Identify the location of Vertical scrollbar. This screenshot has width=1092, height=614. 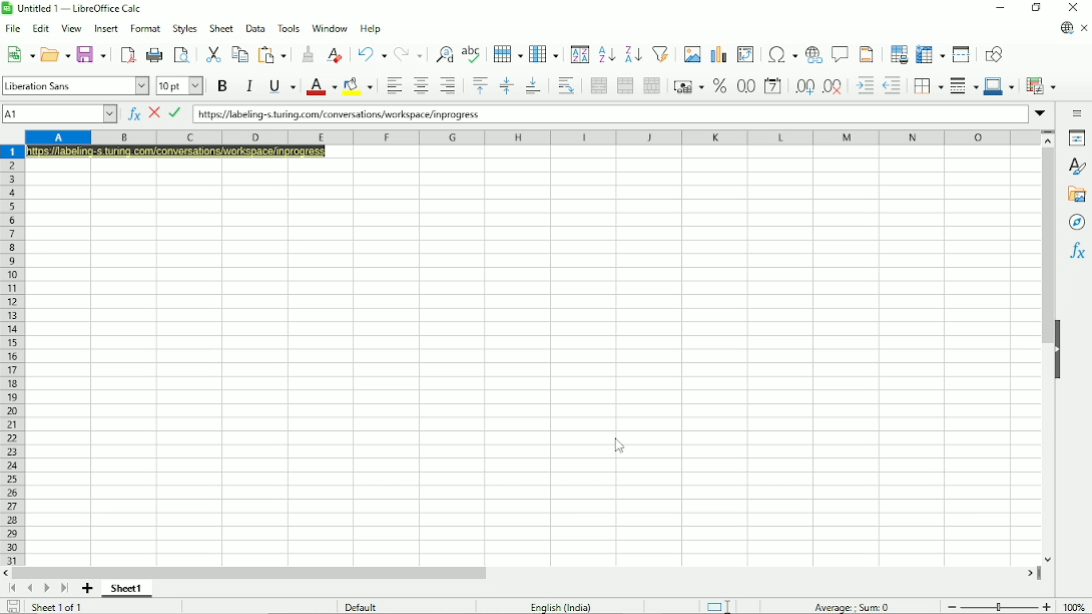
(1044, 348).